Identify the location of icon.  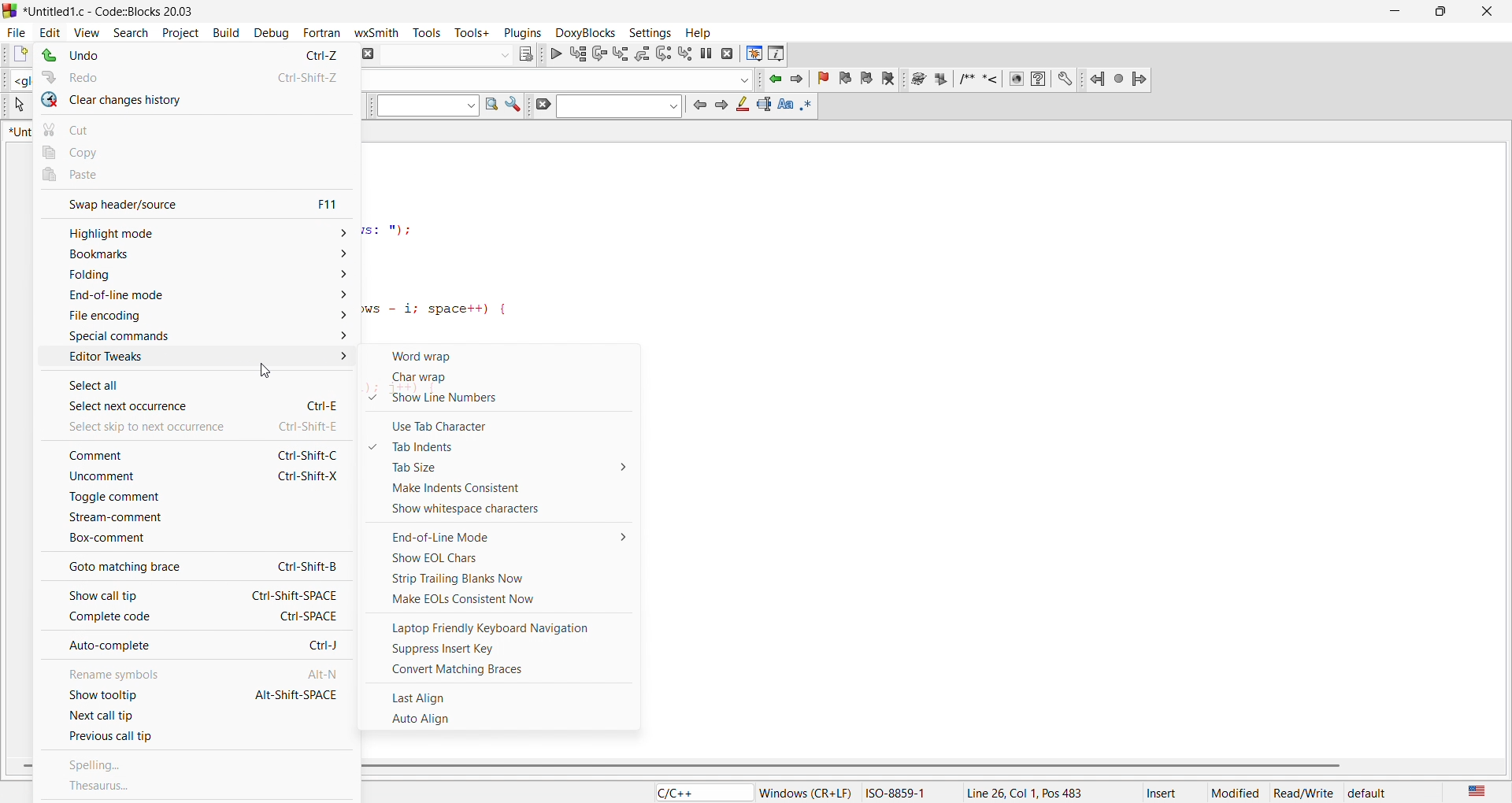
(721, 107).